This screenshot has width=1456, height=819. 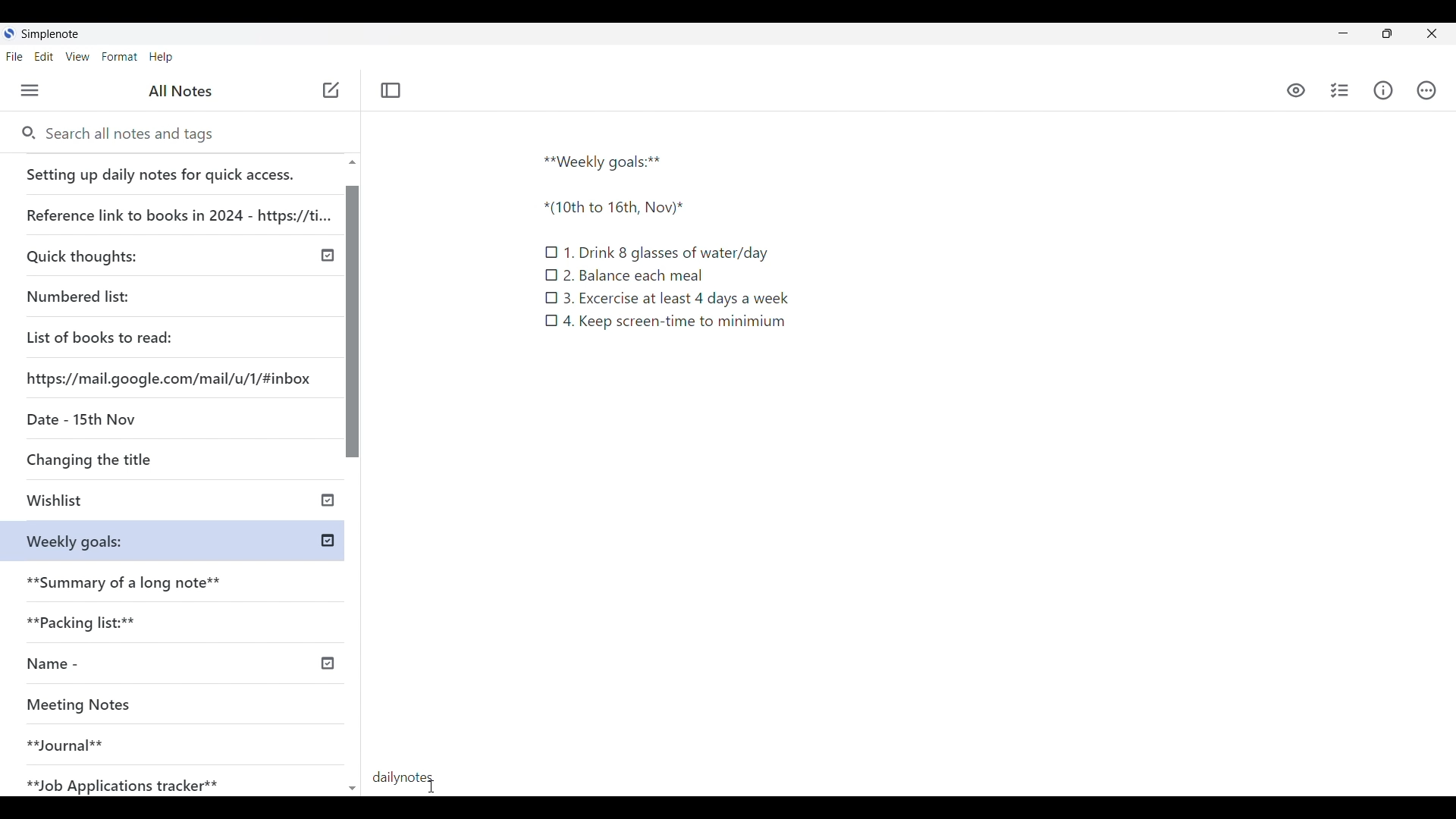 I want to click on Quick slide to top, so click(x=352, y=162).